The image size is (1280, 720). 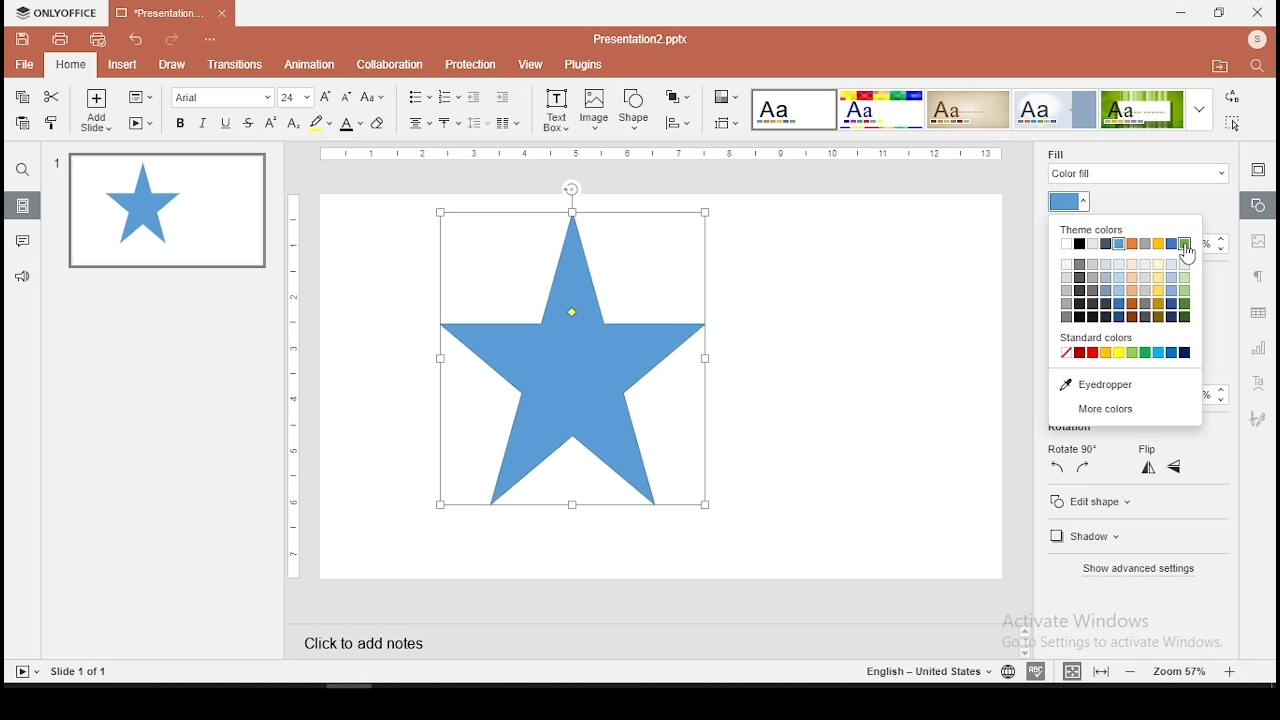 What do you see at coordinates (297, 97) in the screenshot?
I see `font size` at bounding box center [297, 97].